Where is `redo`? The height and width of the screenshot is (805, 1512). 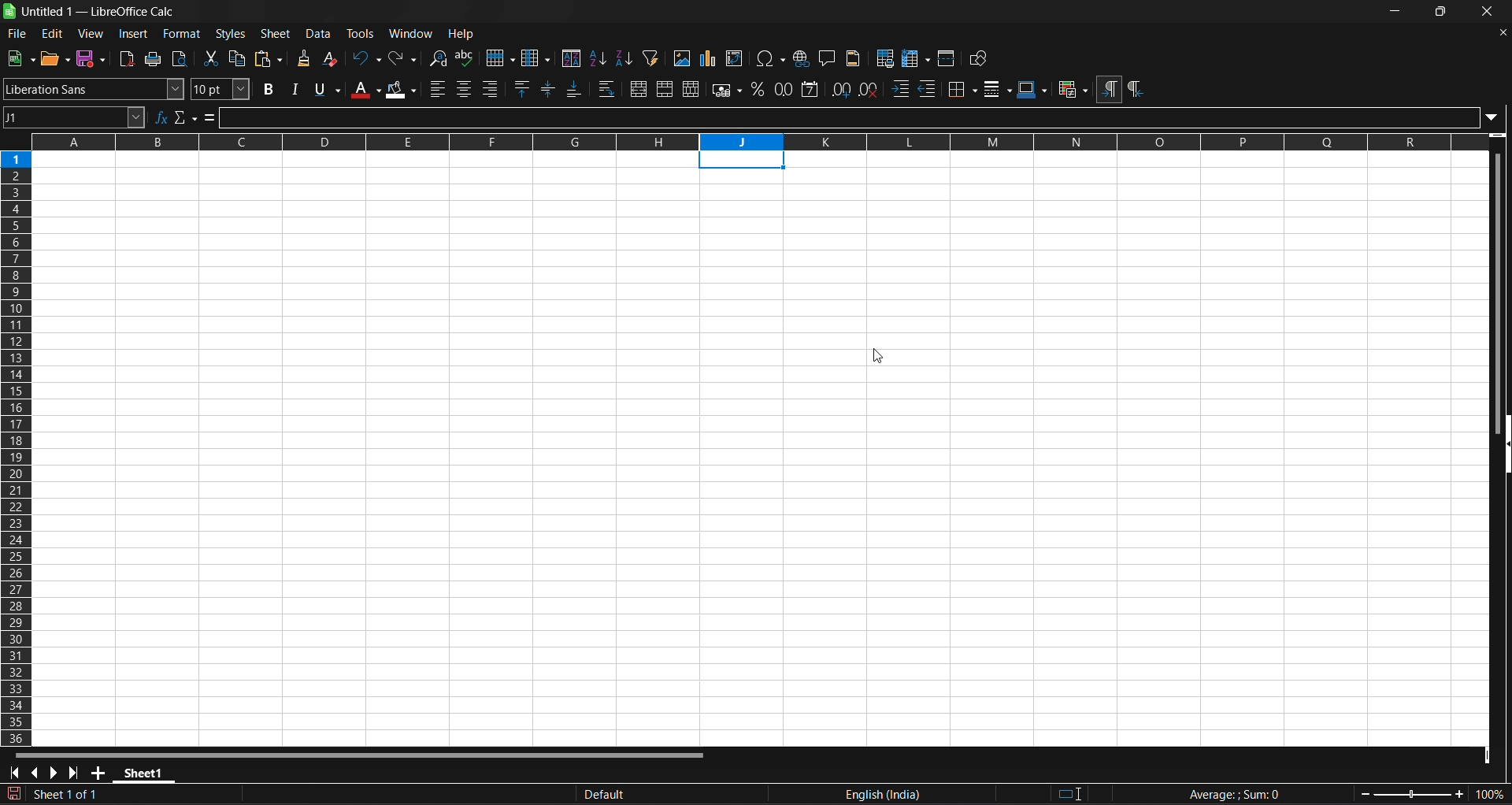 redo is located at coordinates (402, 58).